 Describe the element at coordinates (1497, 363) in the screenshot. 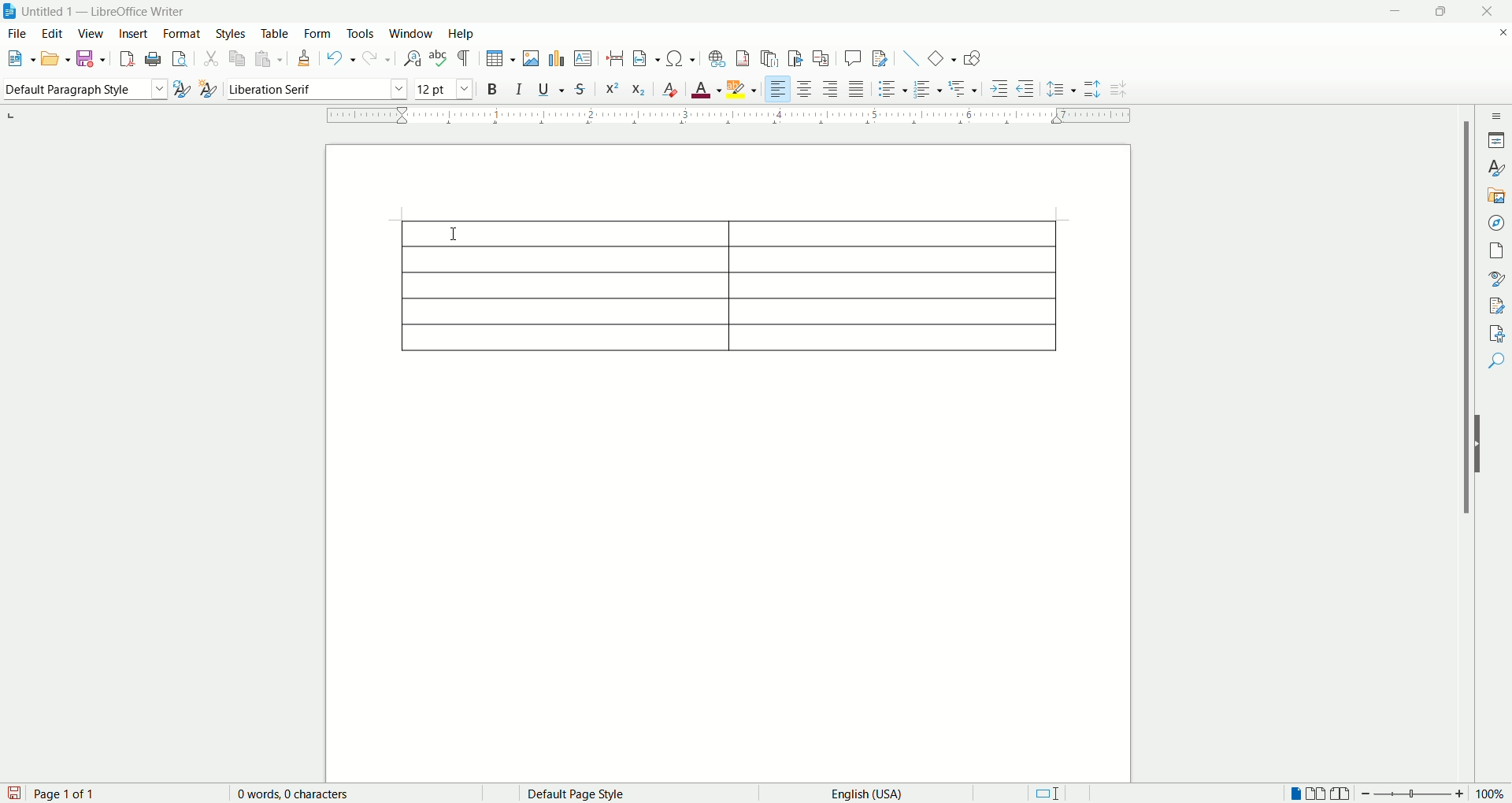

I see `find` at that location.